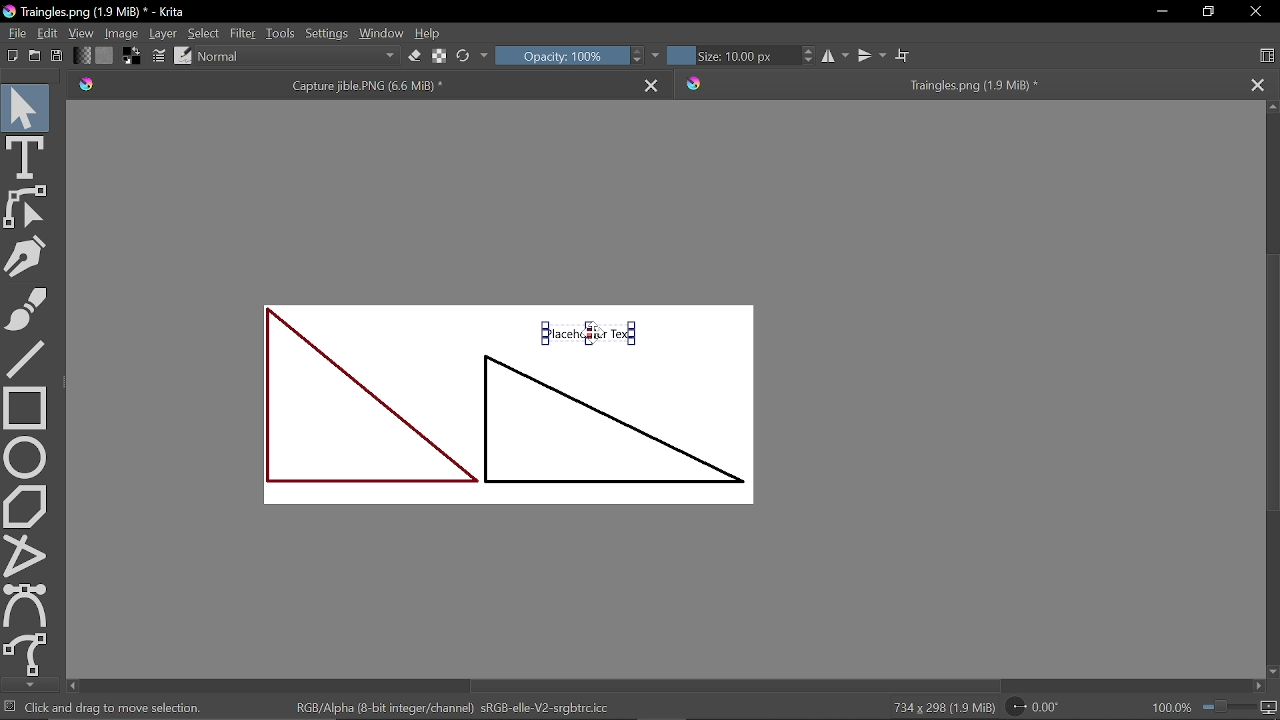 The image size is (1280, 720). What do you see at coordinates (26, 258) in the screenshot?
I see `Calligraphy` at bounding box center [26, 258].